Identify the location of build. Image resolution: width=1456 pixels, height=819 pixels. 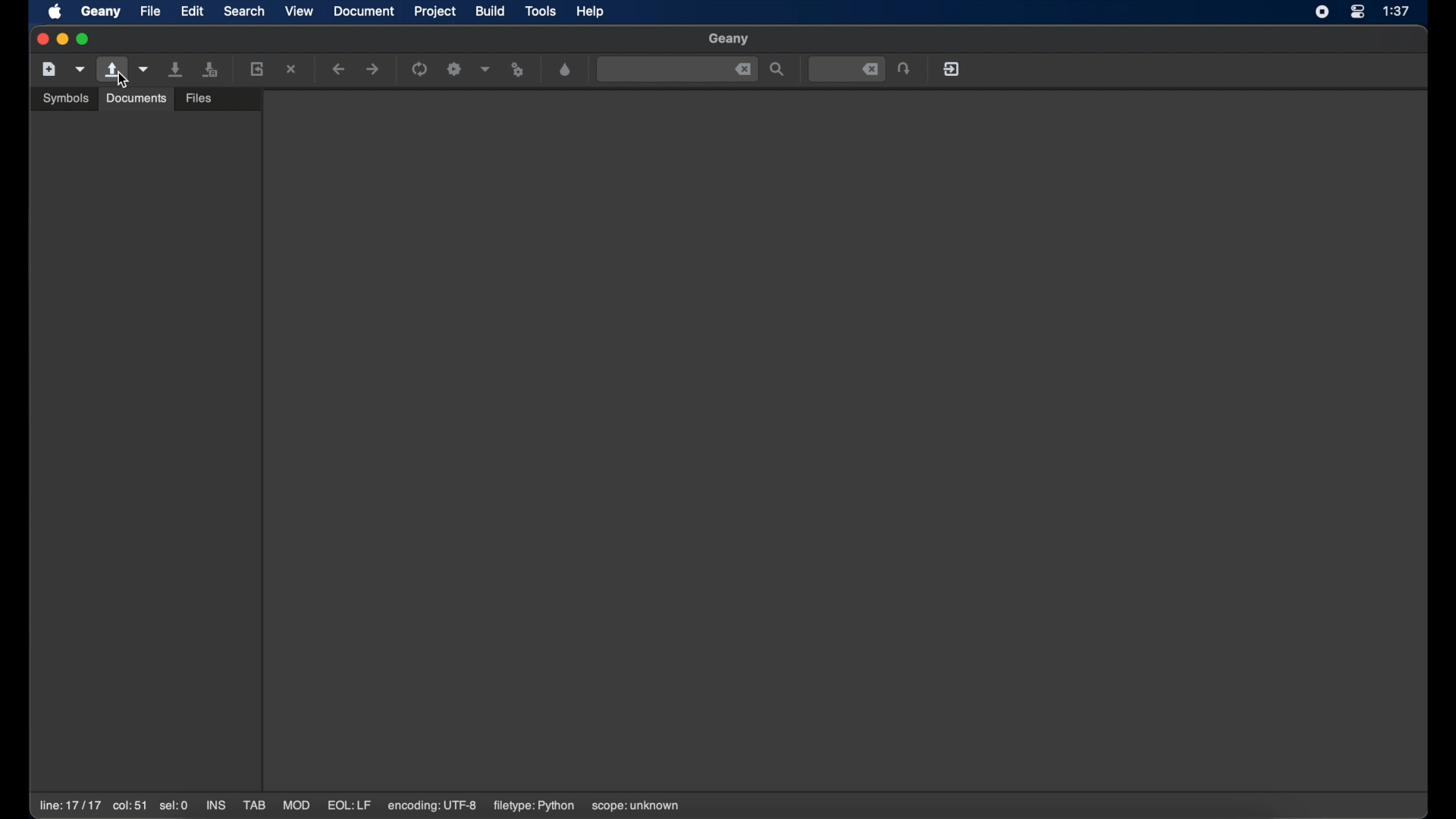
(491, 10).